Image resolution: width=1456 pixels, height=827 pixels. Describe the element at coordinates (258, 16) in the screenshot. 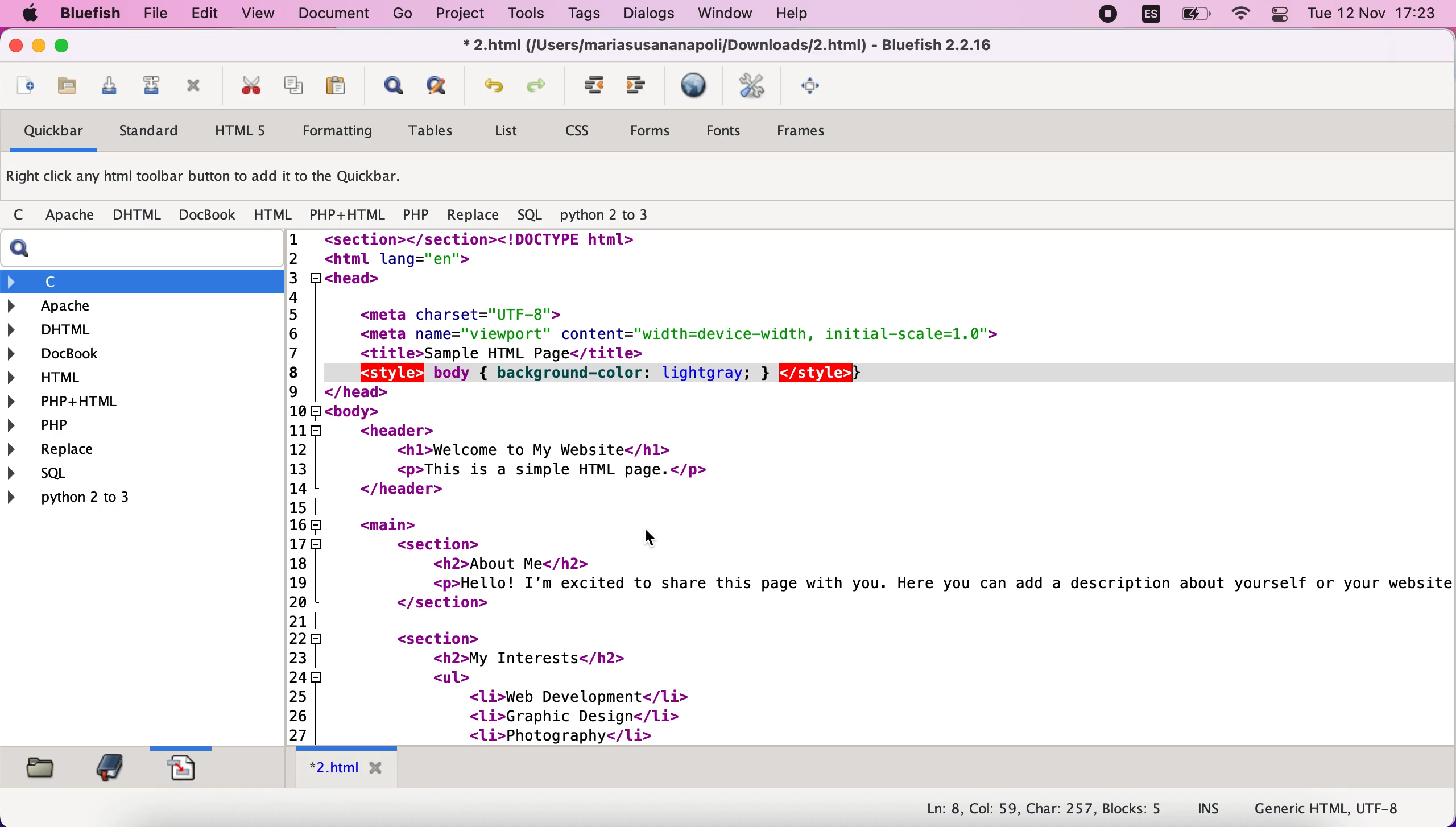

I see `view` at that location.